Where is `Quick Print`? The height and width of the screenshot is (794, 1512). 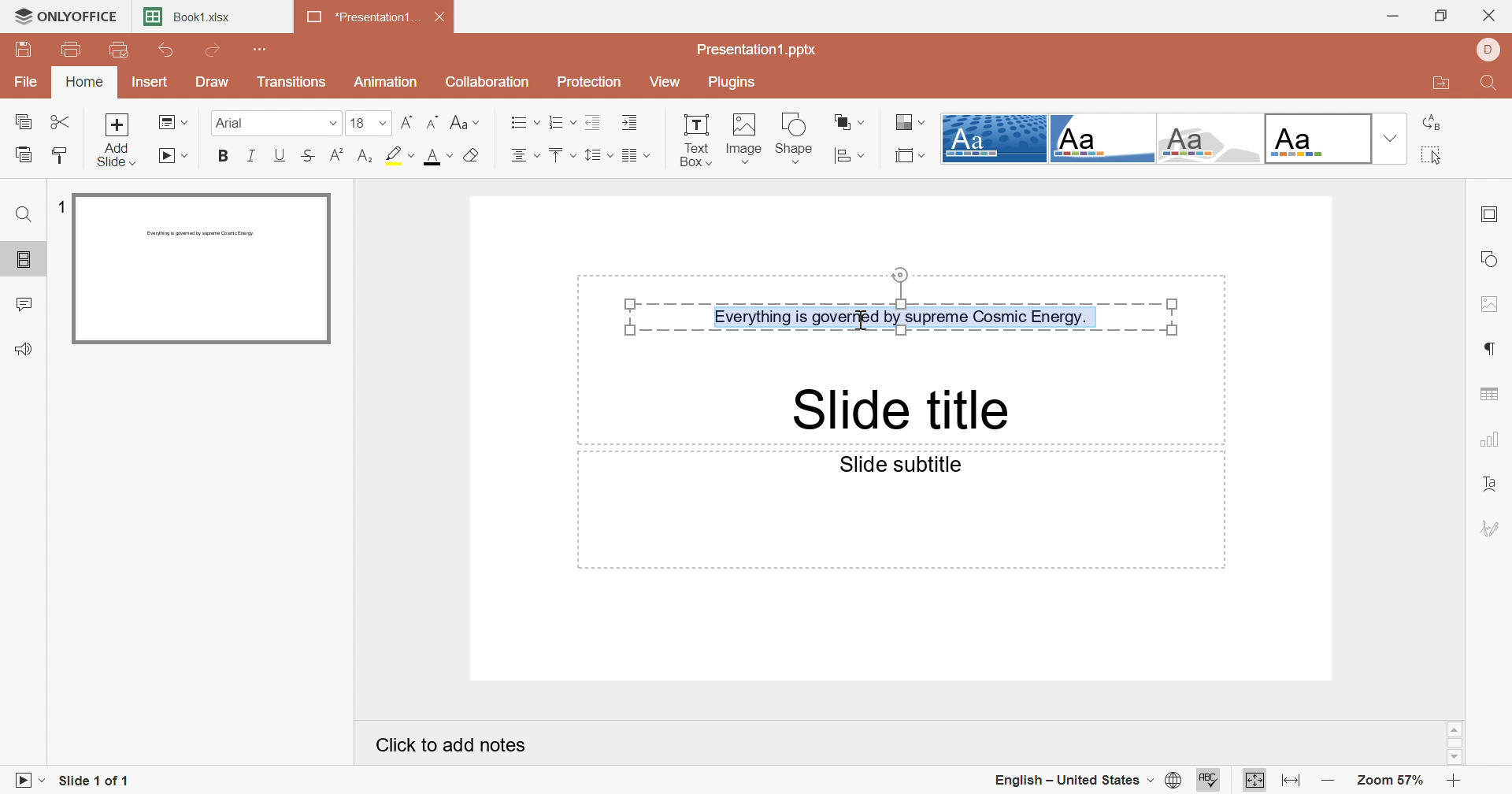
Quick Print is located at coordinates (120, 50).